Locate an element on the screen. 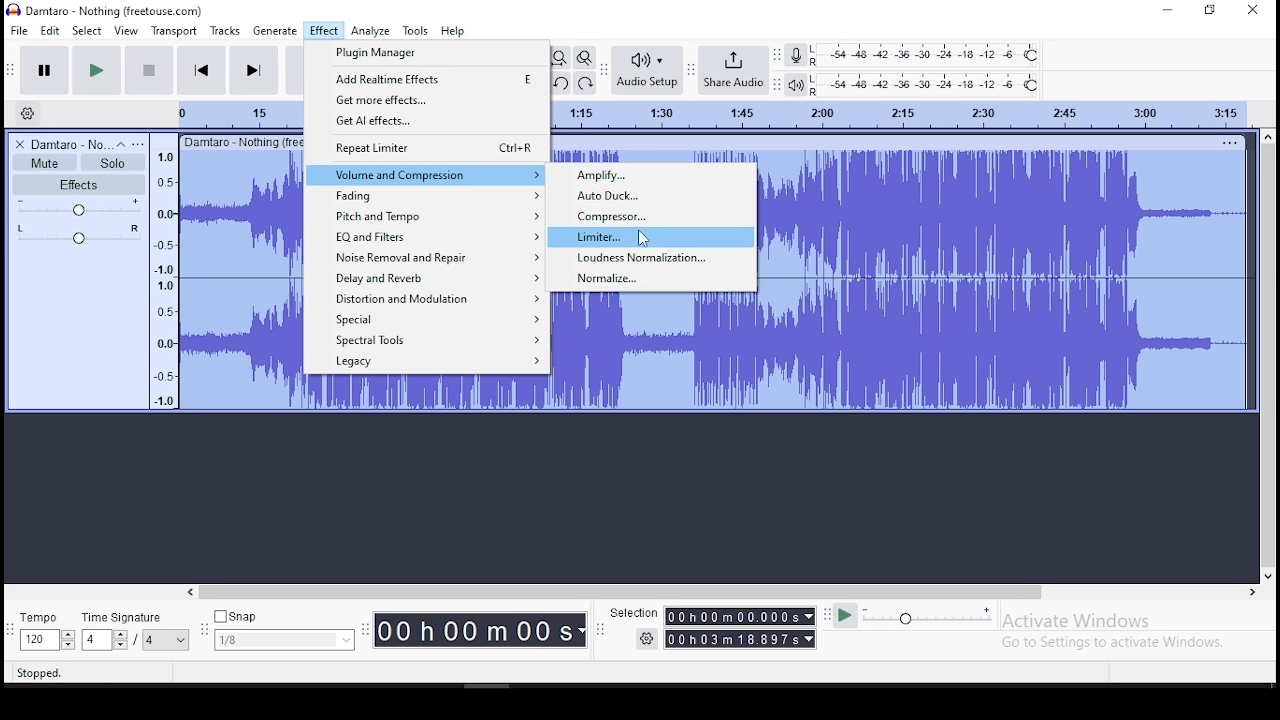 This screenshot has width=1280, height=720. audio track name is located at coordinates (66, 143).